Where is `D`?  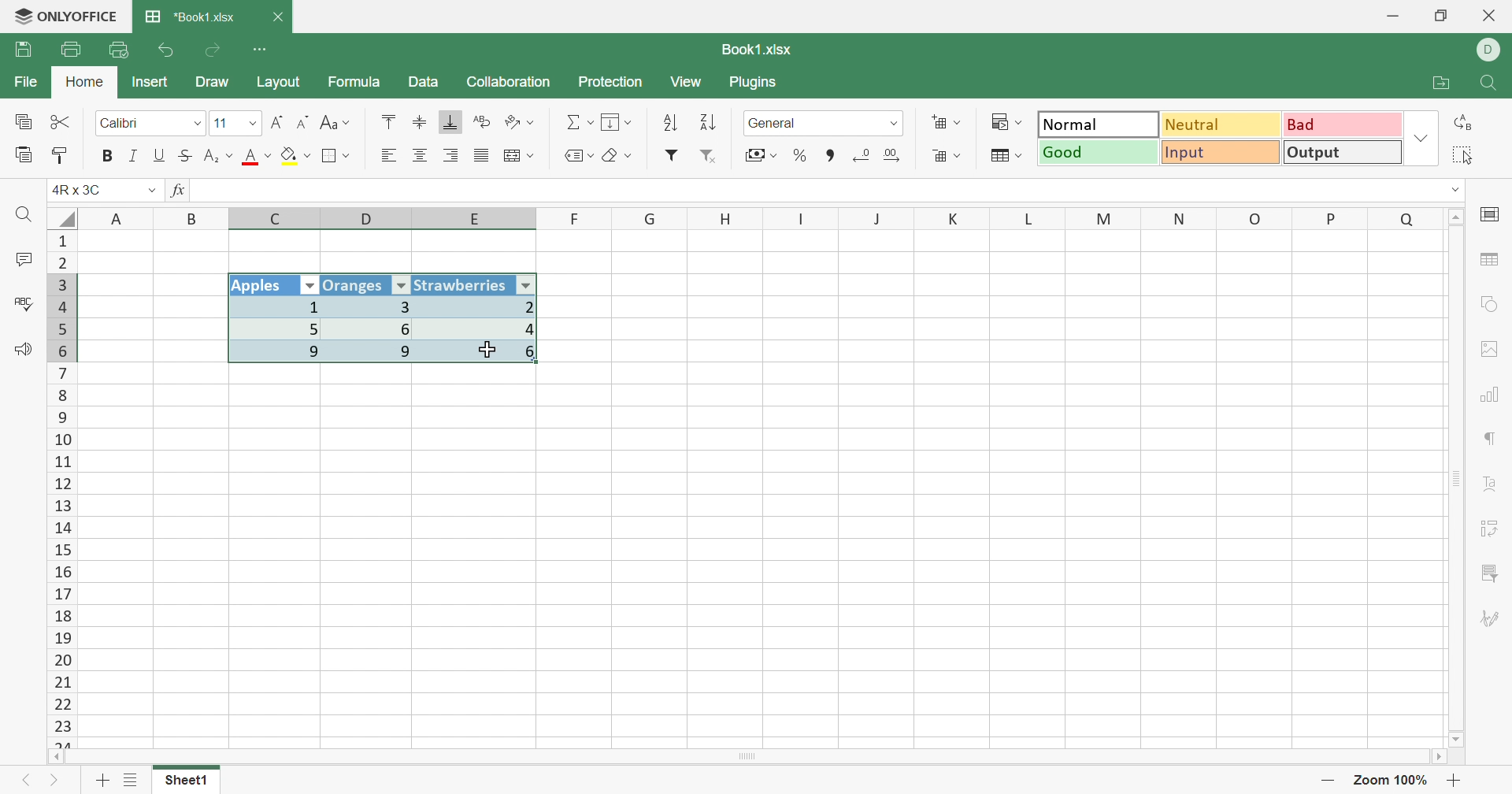
D is located at coordinates (1489, 50).